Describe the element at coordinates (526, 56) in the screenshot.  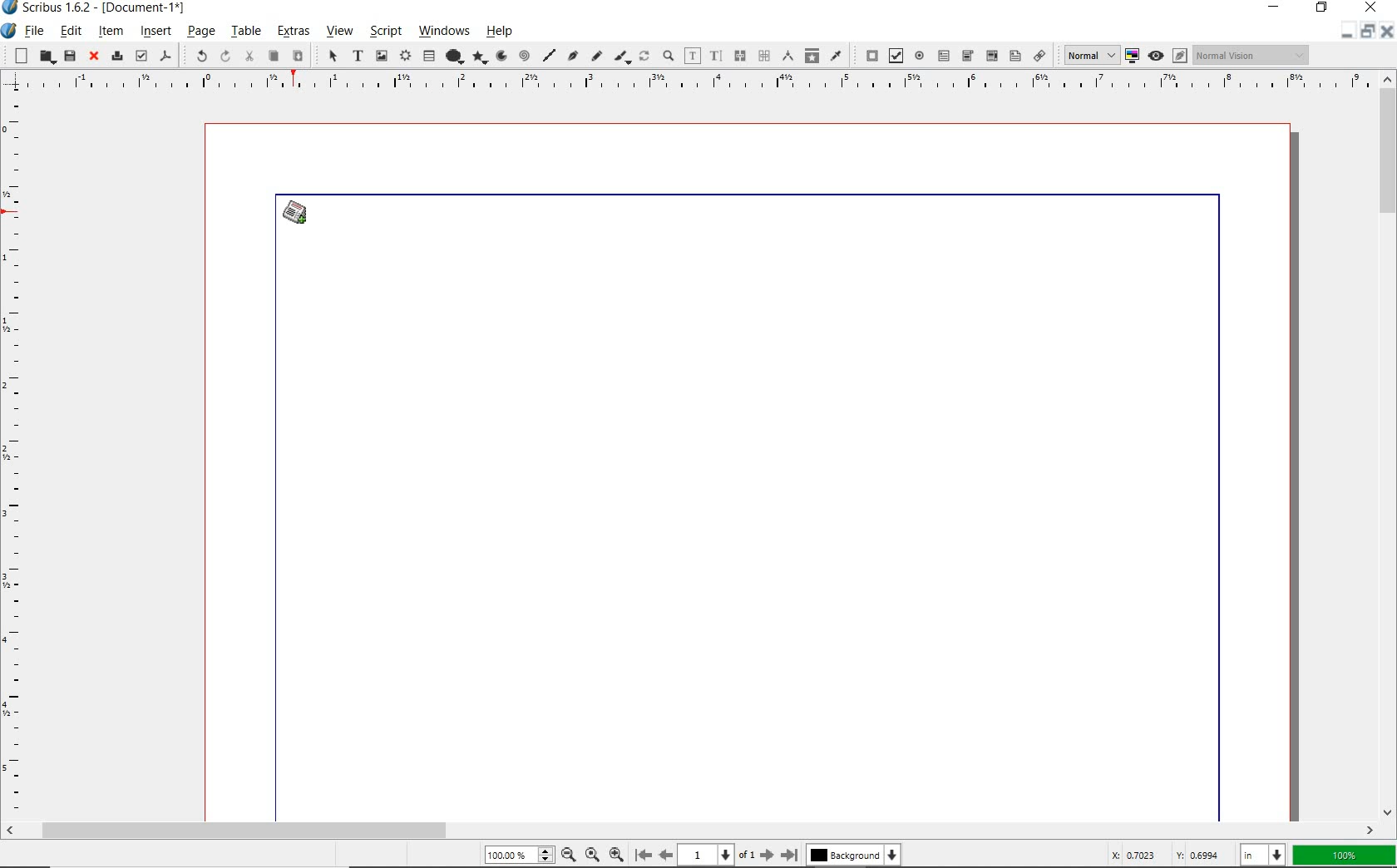
I see `spiral` at that location.